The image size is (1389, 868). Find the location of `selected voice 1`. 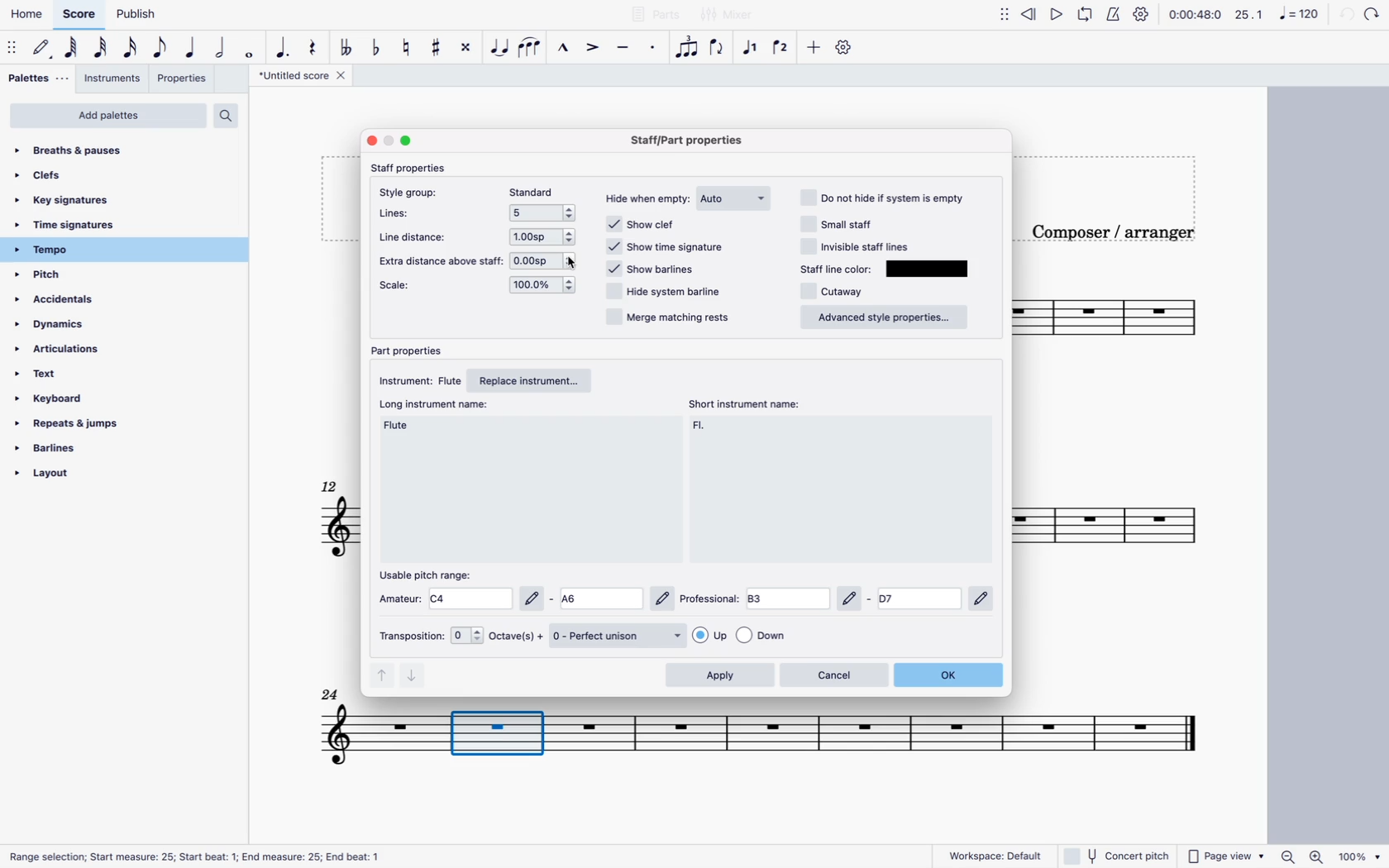

selected voice 1 is located at coordinates (752, 48).